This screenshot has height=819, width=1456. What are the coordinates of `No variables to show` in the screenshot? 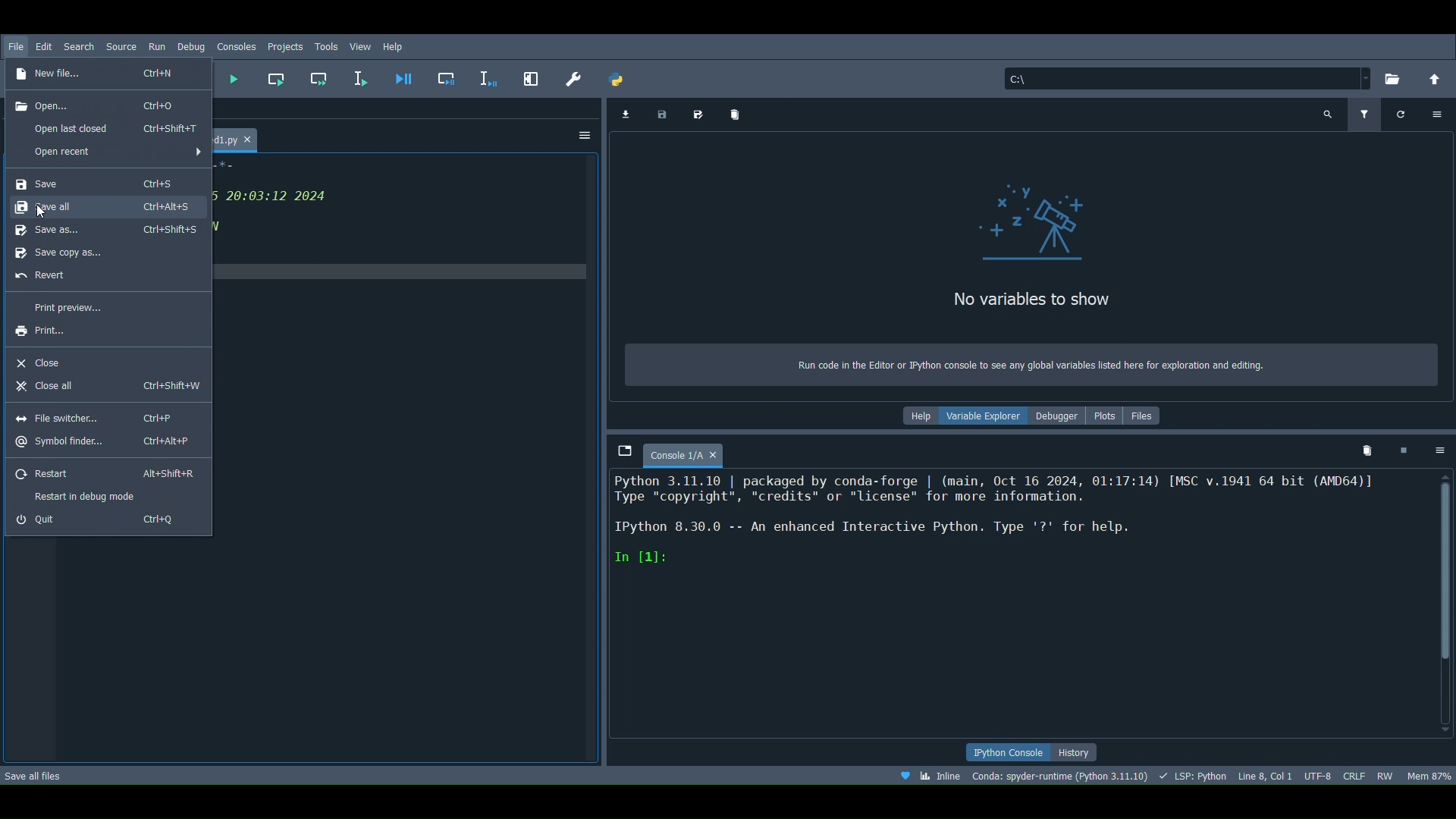 It's located at (1010, 303).